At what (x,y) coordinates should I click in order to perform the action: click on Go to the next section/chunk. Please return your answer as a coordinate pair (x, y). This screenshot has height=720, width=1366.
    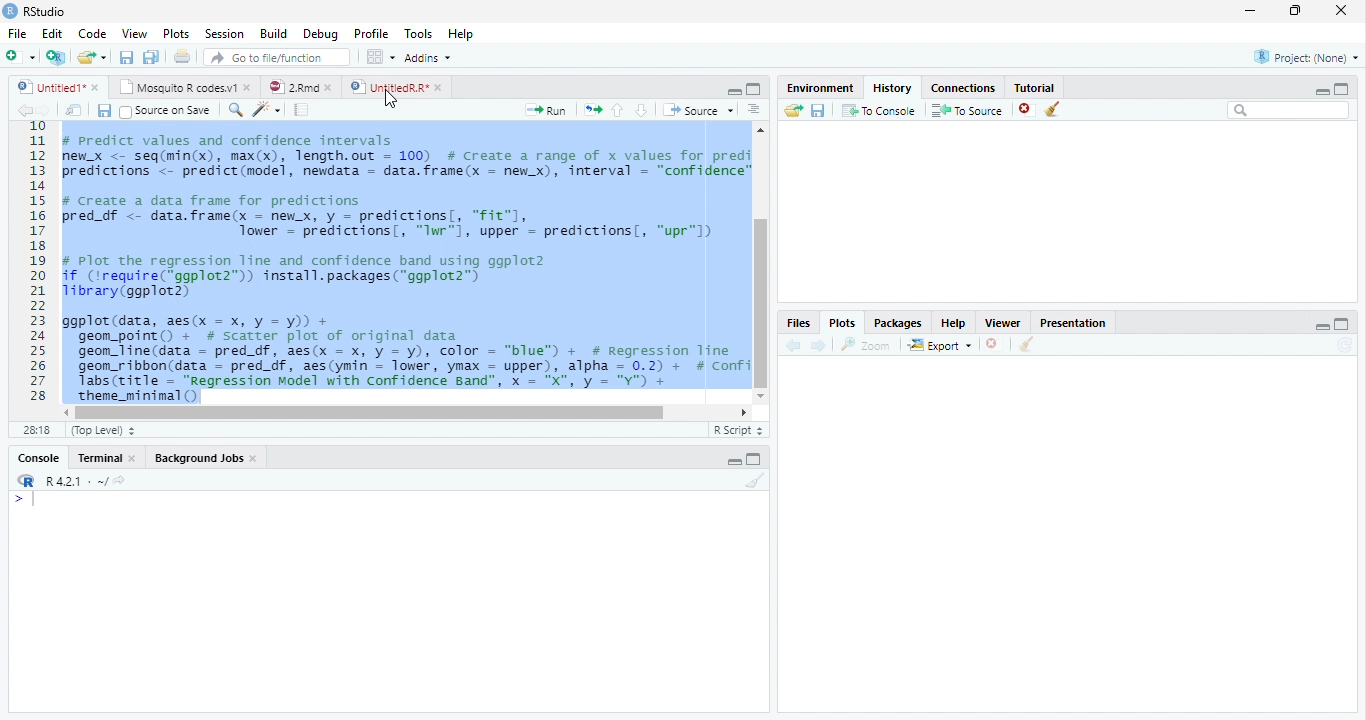
    Looking at the image, I should click on (642, 111).